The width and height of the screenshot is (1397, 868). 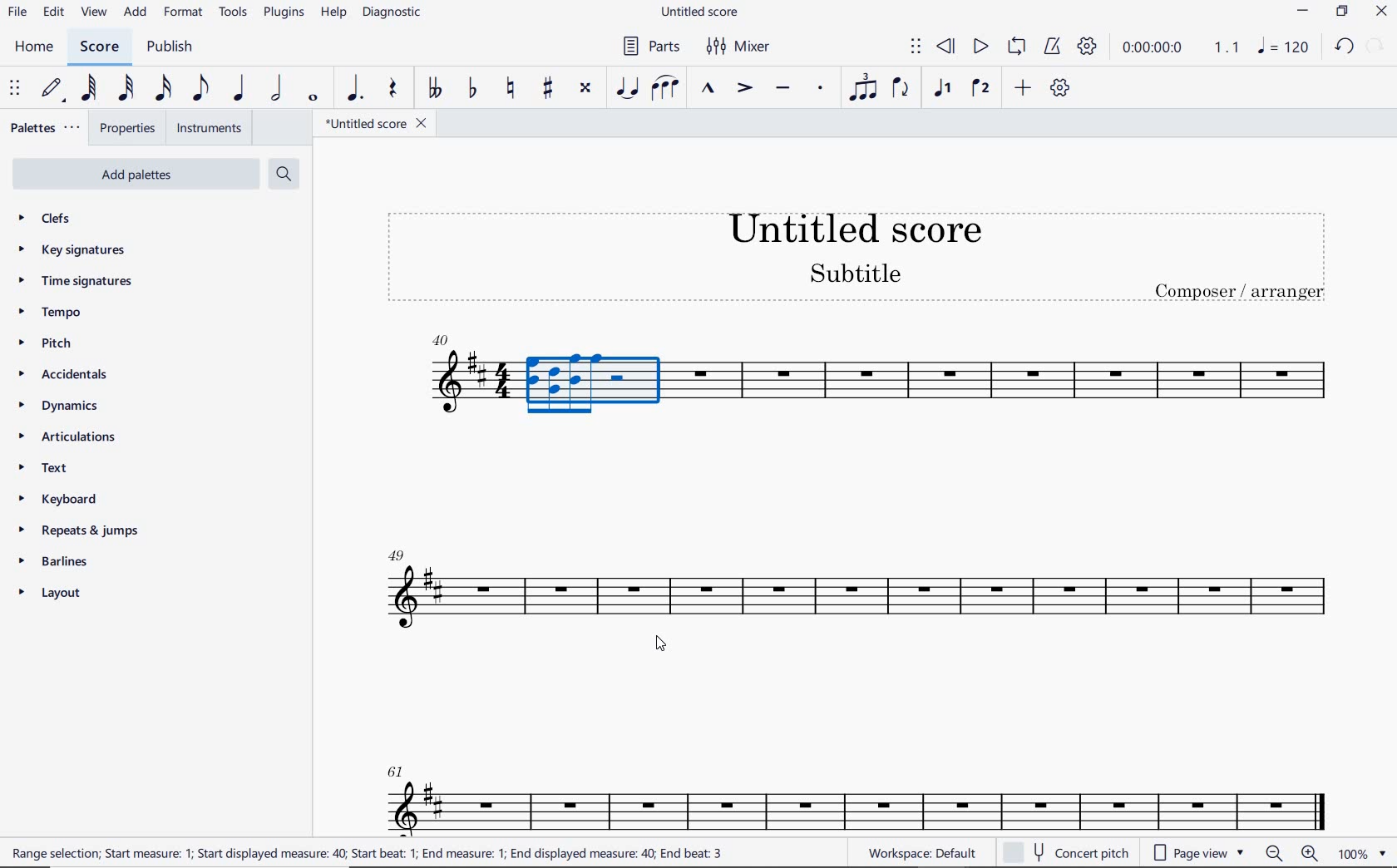 I want to click on concert pitch, so click(x=1069, y=853).